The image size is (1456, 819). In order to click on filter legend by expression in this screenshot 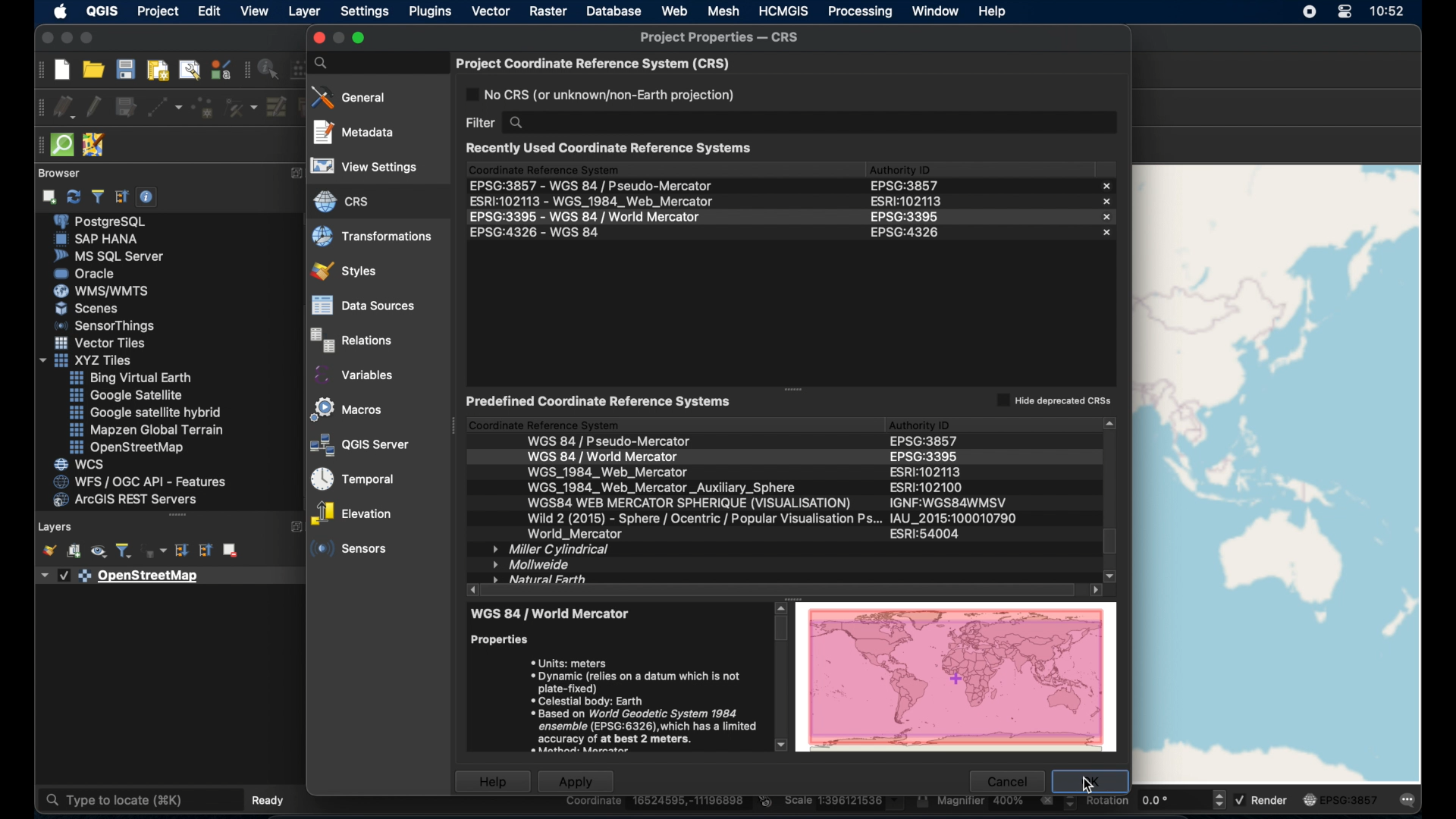, I will do `click(156, 551)`.